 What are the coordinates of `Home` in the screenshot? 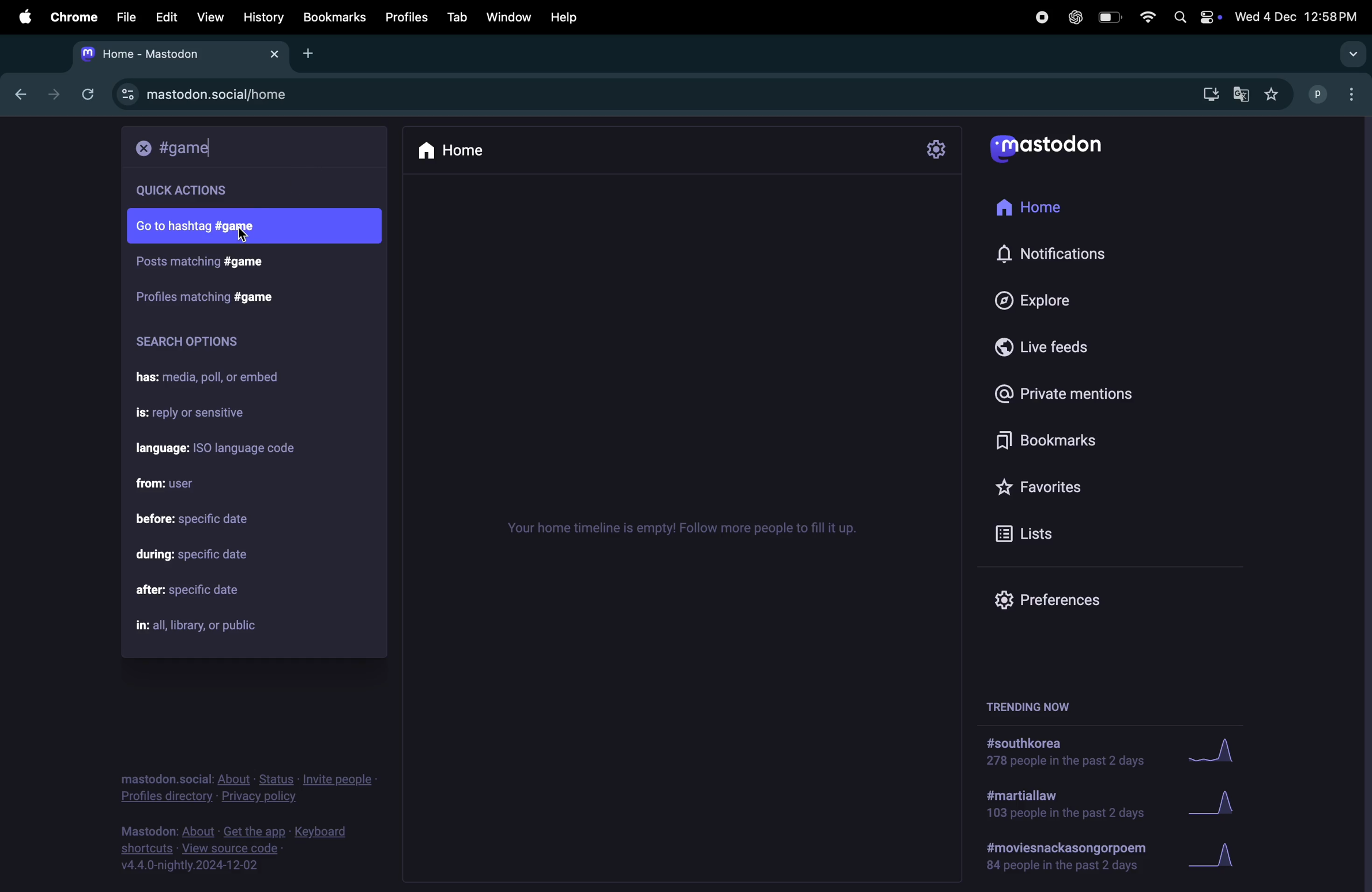 It's located at (1041, 209).